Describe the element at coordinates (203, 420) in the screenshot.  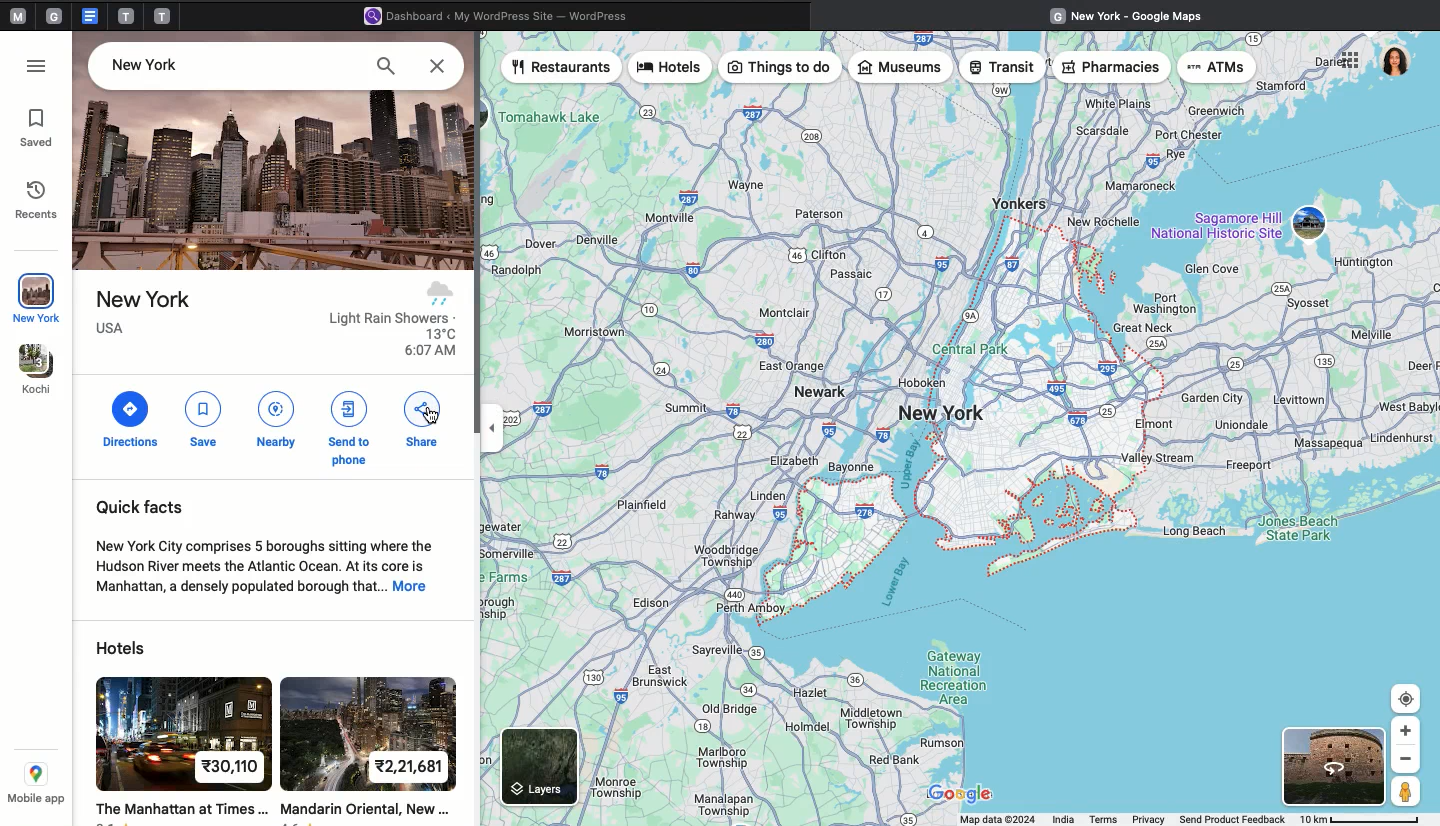
I see `Save` at that location.